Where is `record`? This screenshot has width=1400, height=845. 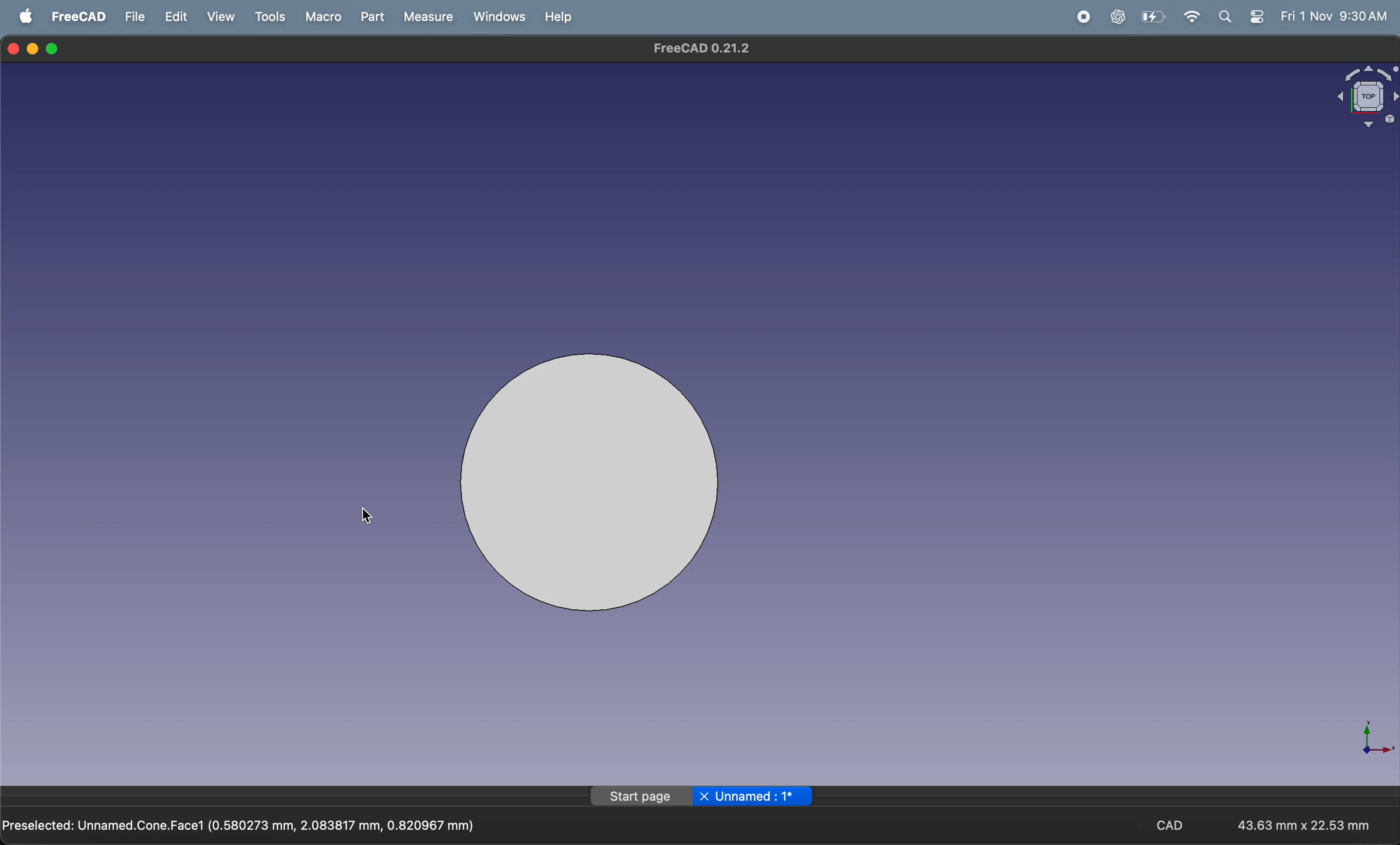
record is located at coordinates (1080, 17).